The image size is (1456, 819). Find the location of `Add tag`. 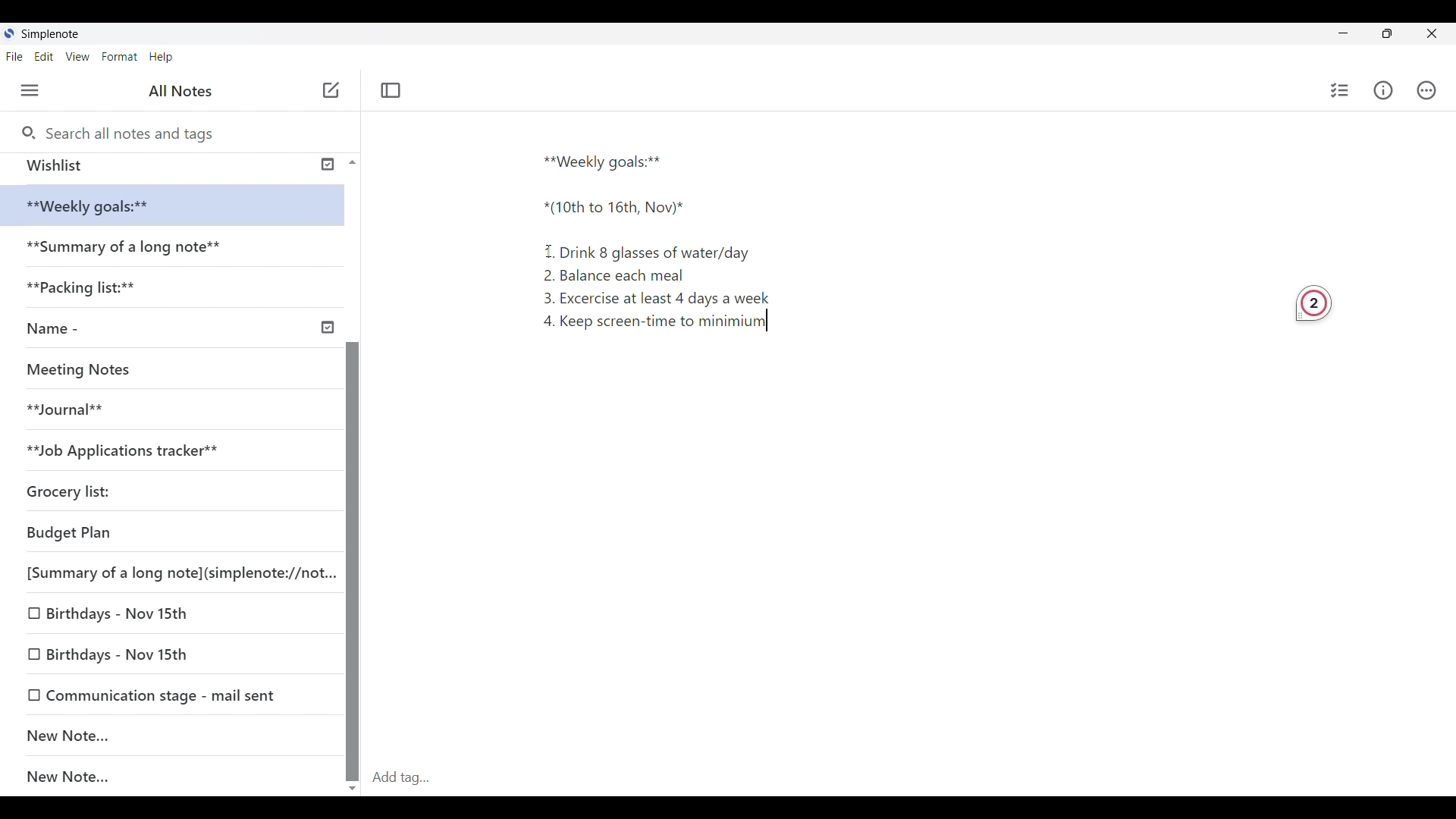

Add tag is located at coordinates (910, 777).